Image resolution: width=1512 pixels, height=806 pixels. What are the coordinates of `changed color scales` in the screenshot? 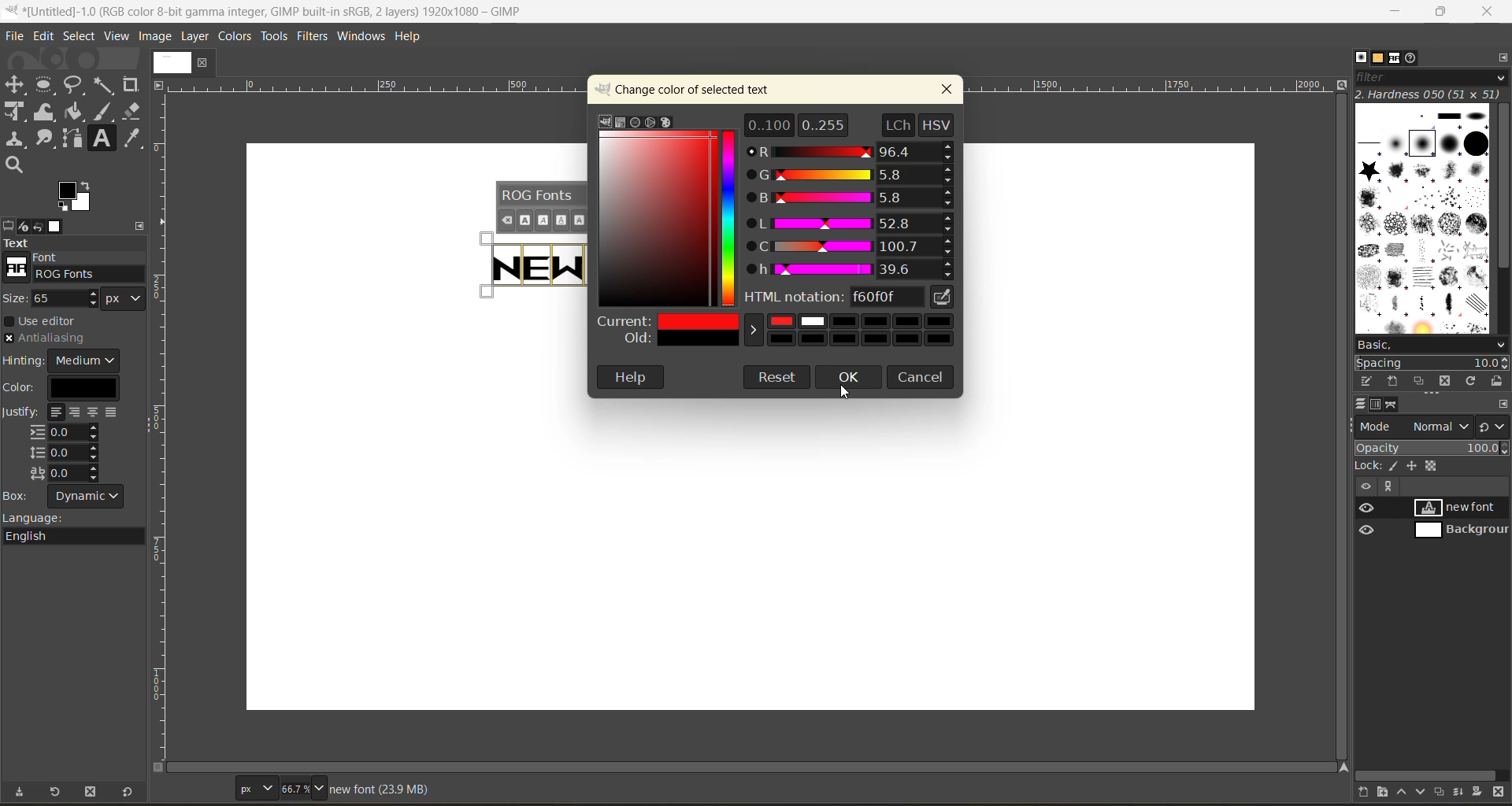 It's located at (853, 200).